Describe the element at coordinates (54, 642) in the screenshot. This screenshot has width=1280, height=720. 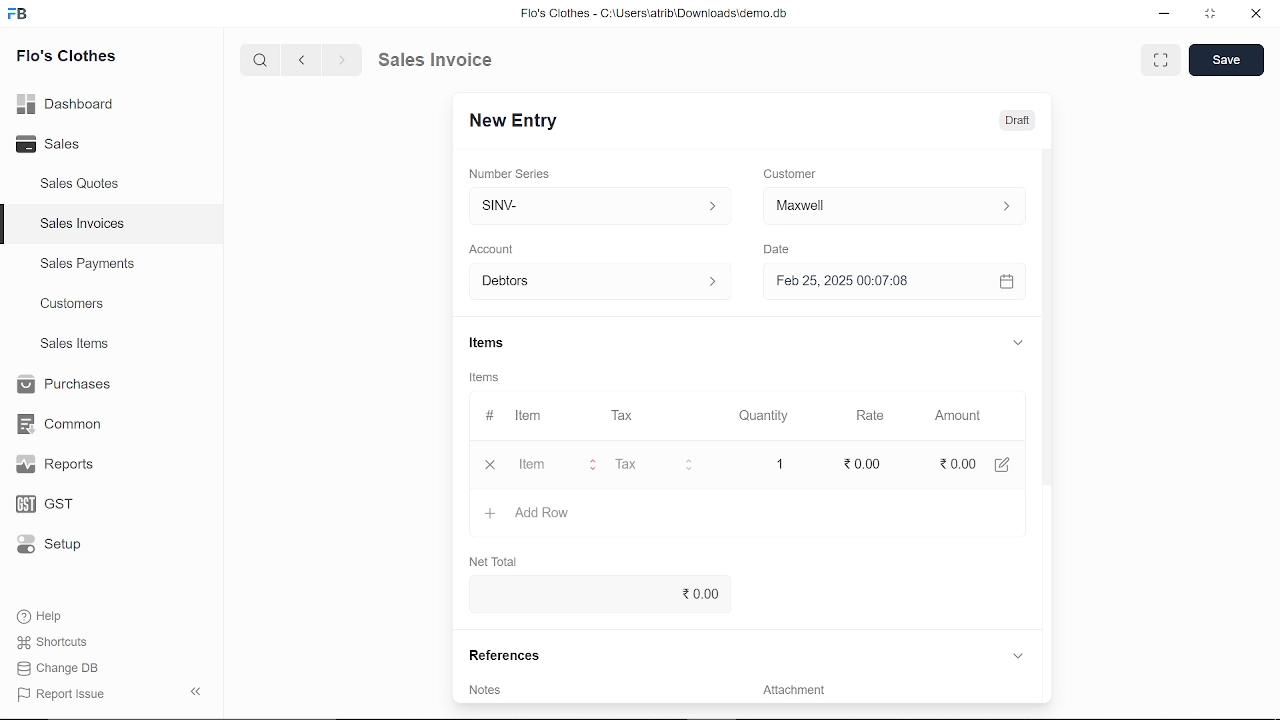
I see `Shortcuts` at that location.